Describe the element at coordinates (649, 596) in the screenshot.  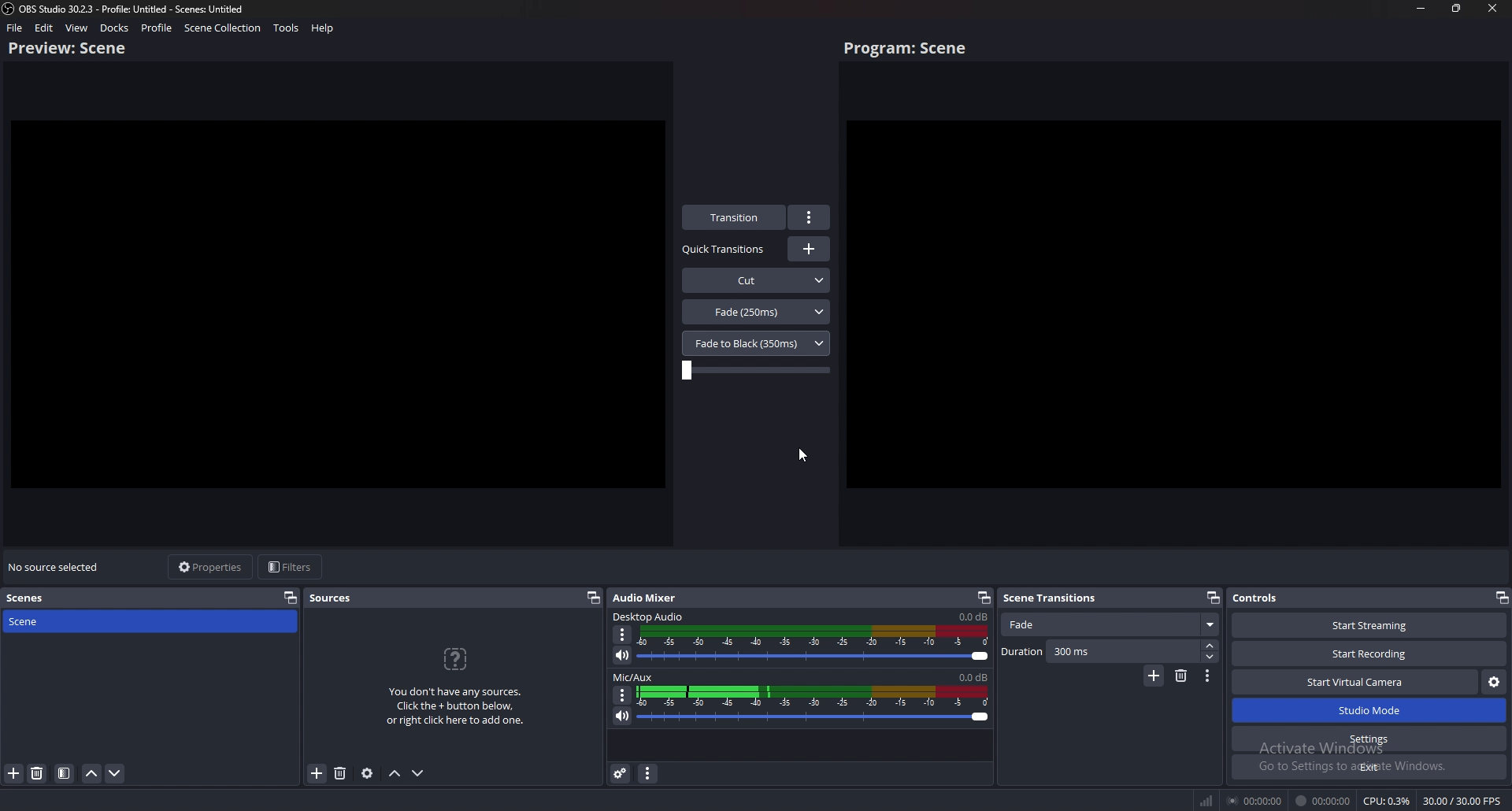
I see `Audio mixer` at that location.